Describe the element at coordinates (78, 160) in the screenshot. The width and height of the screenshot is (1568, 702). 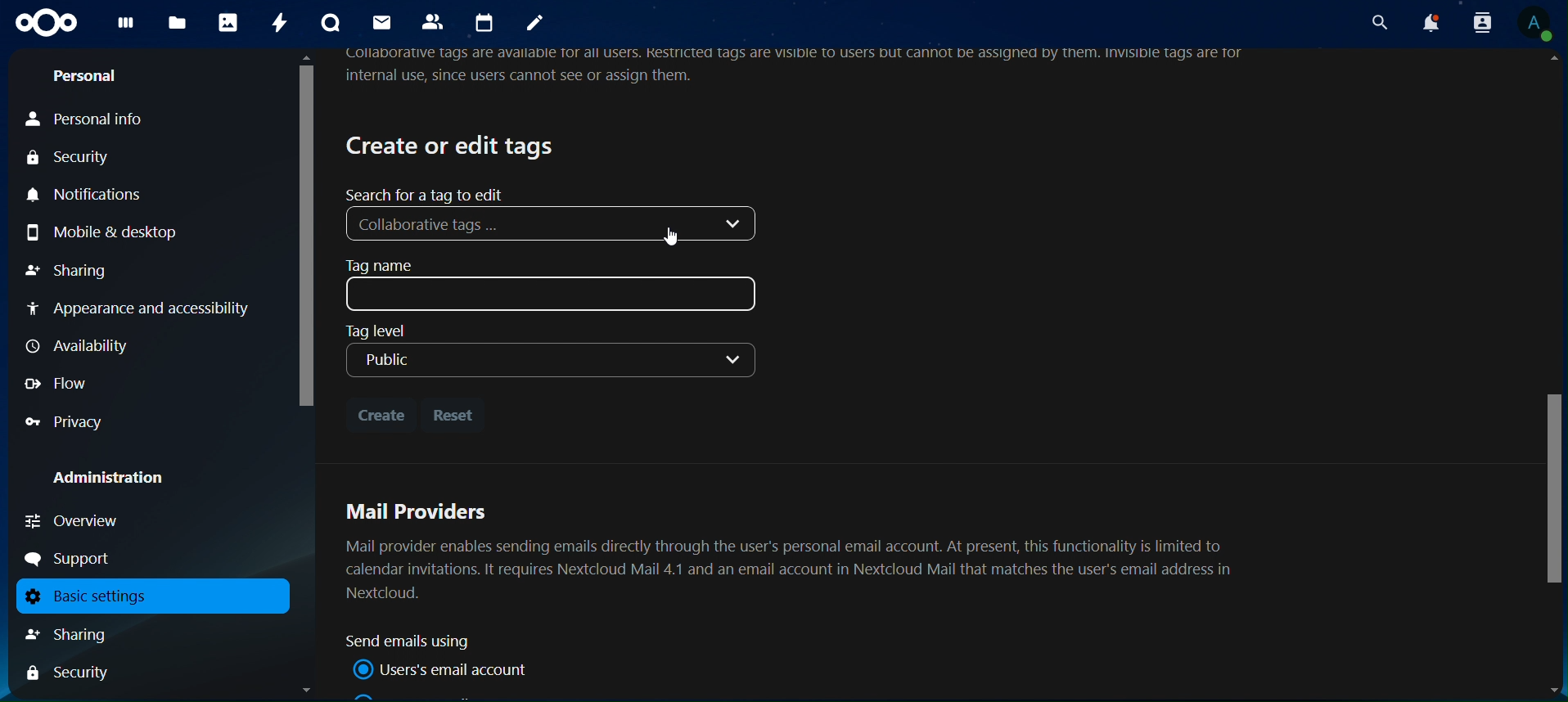
I see `security` at that location.